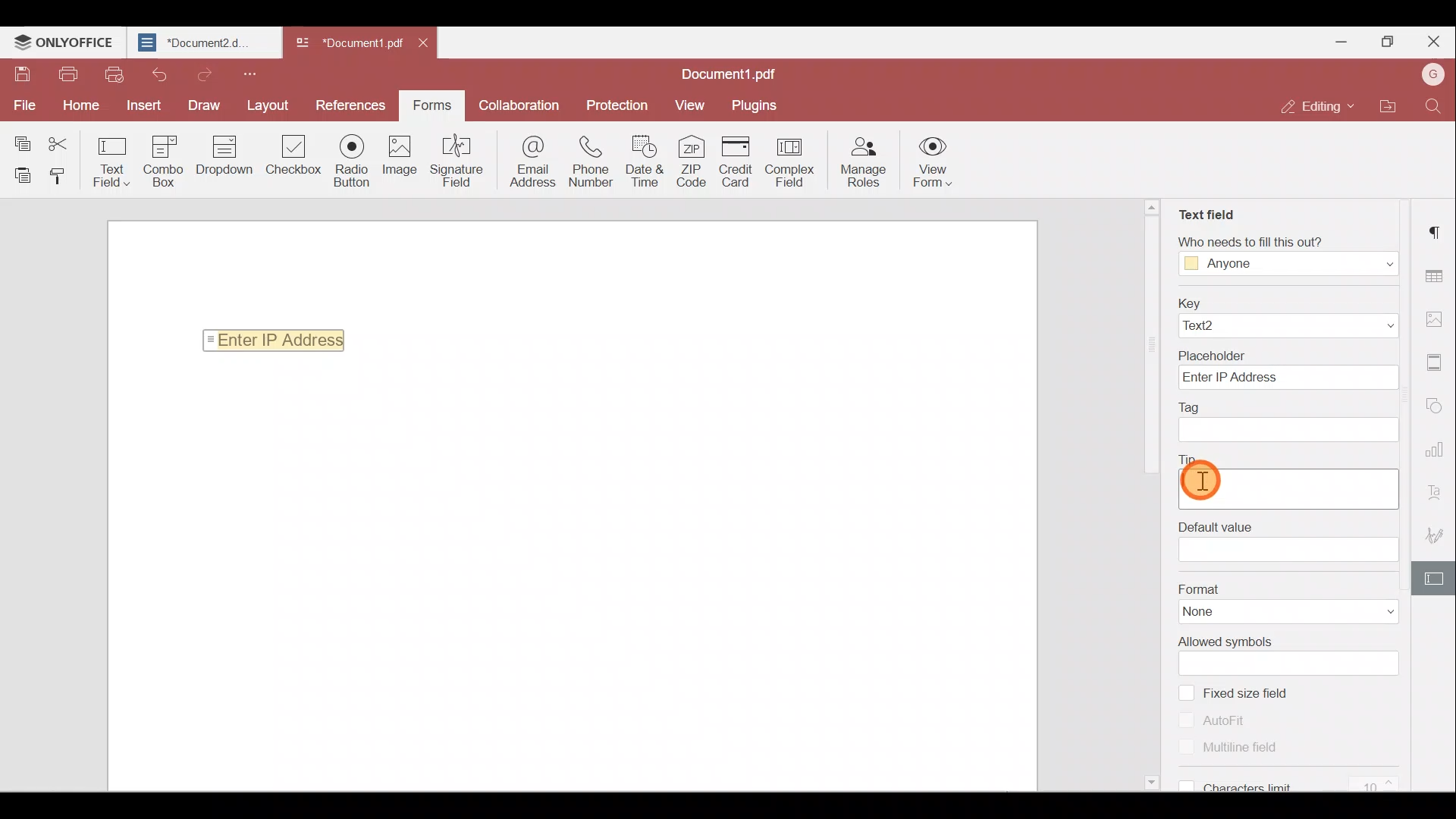  I want to click on Format dropdown, so click(1373, 612).